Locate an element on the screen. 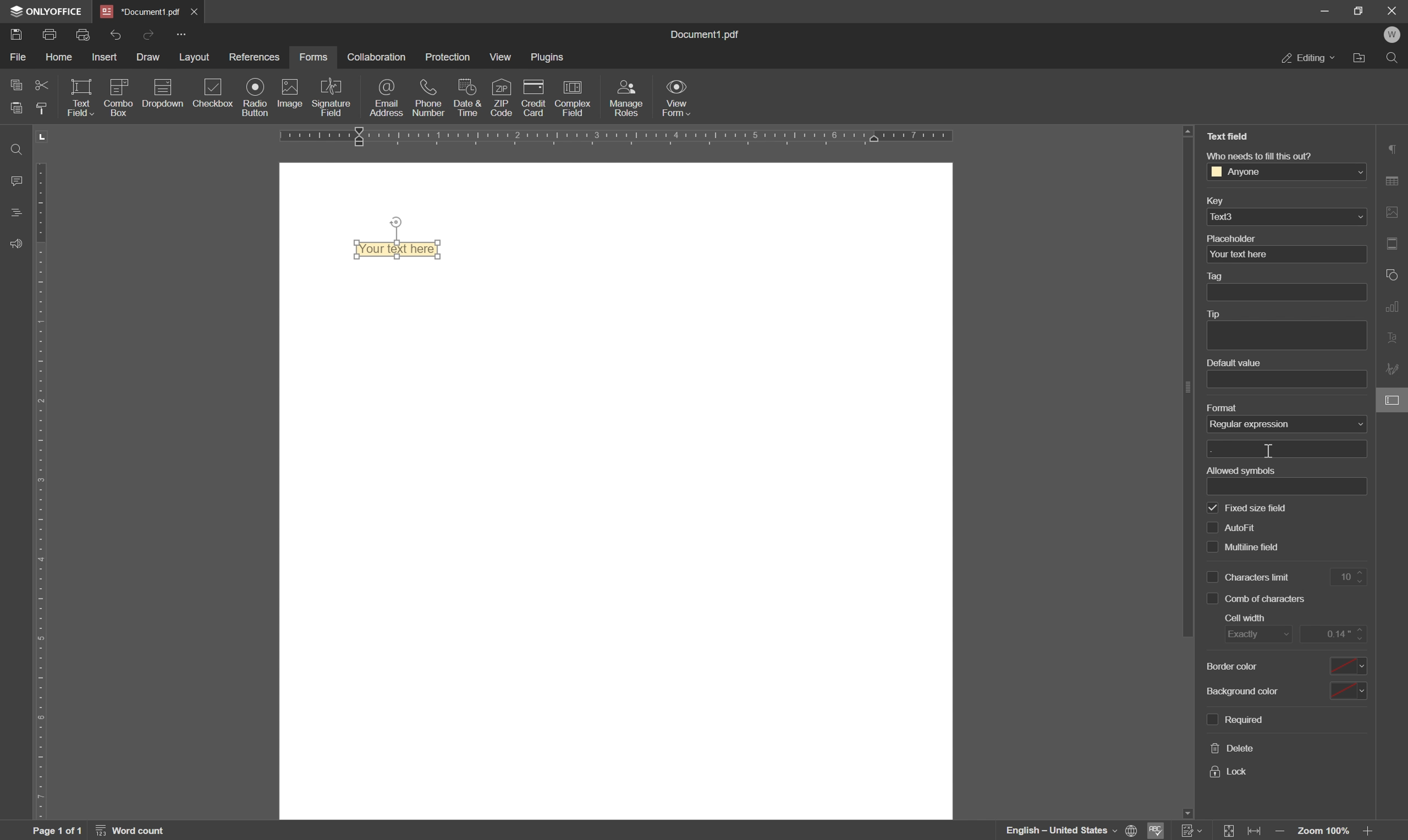 The height and width of the screenshot is (840, 1408). checkbox is located at coordinates (1214, 507).